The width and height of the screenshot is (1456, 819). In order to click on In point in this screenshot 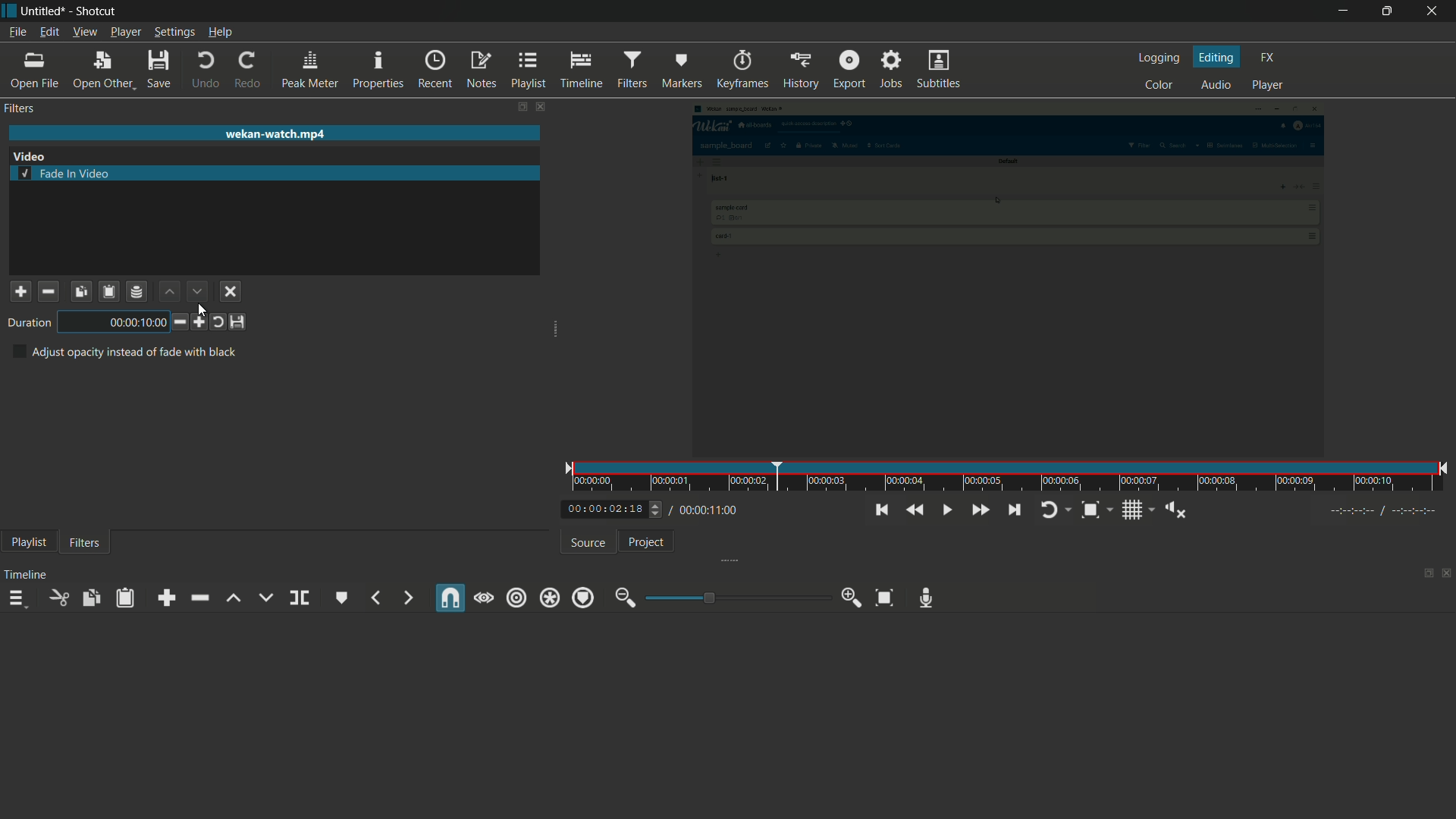, I will do `click(1385, 512)`.